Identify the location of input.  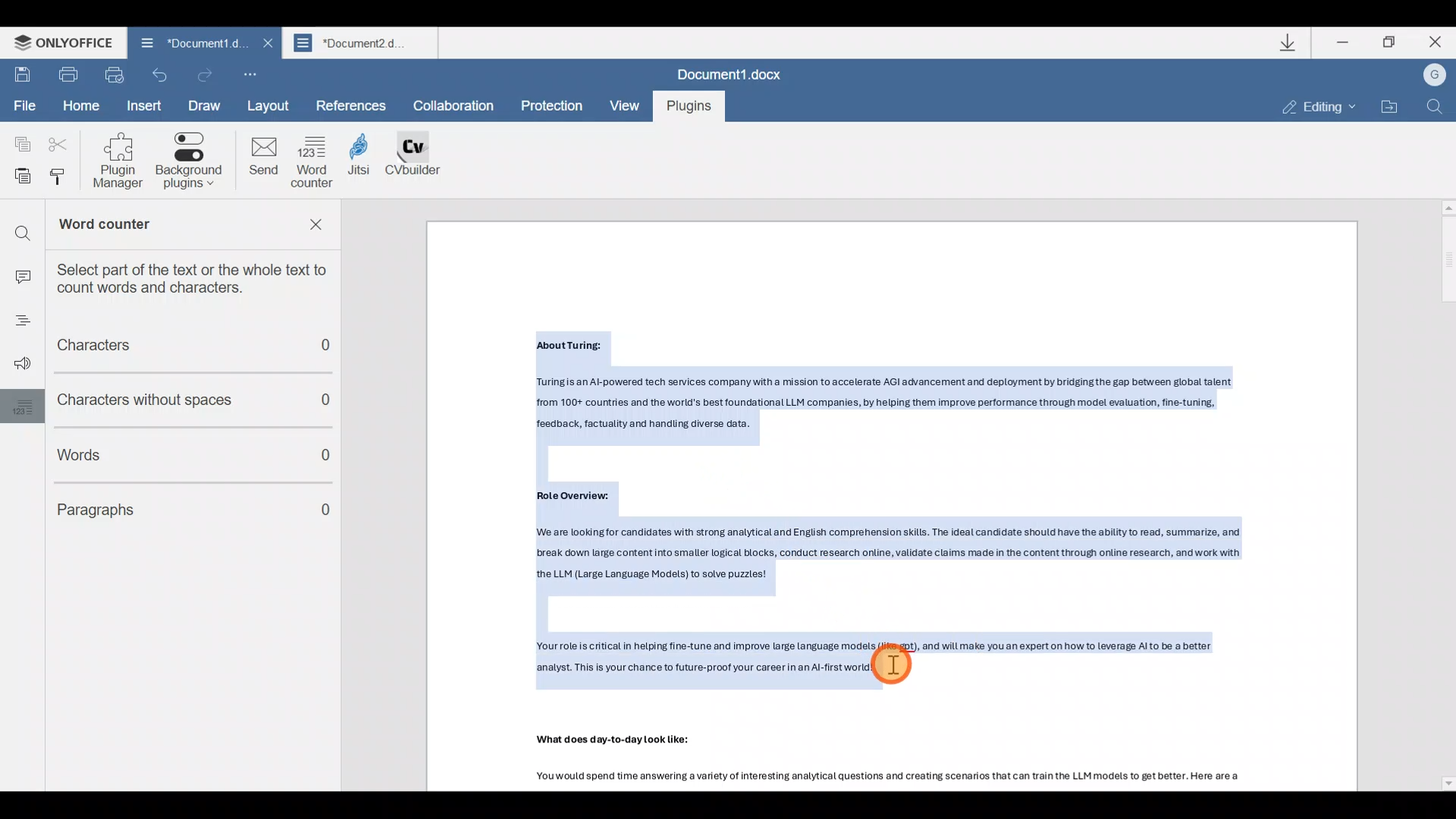
(21, 272).